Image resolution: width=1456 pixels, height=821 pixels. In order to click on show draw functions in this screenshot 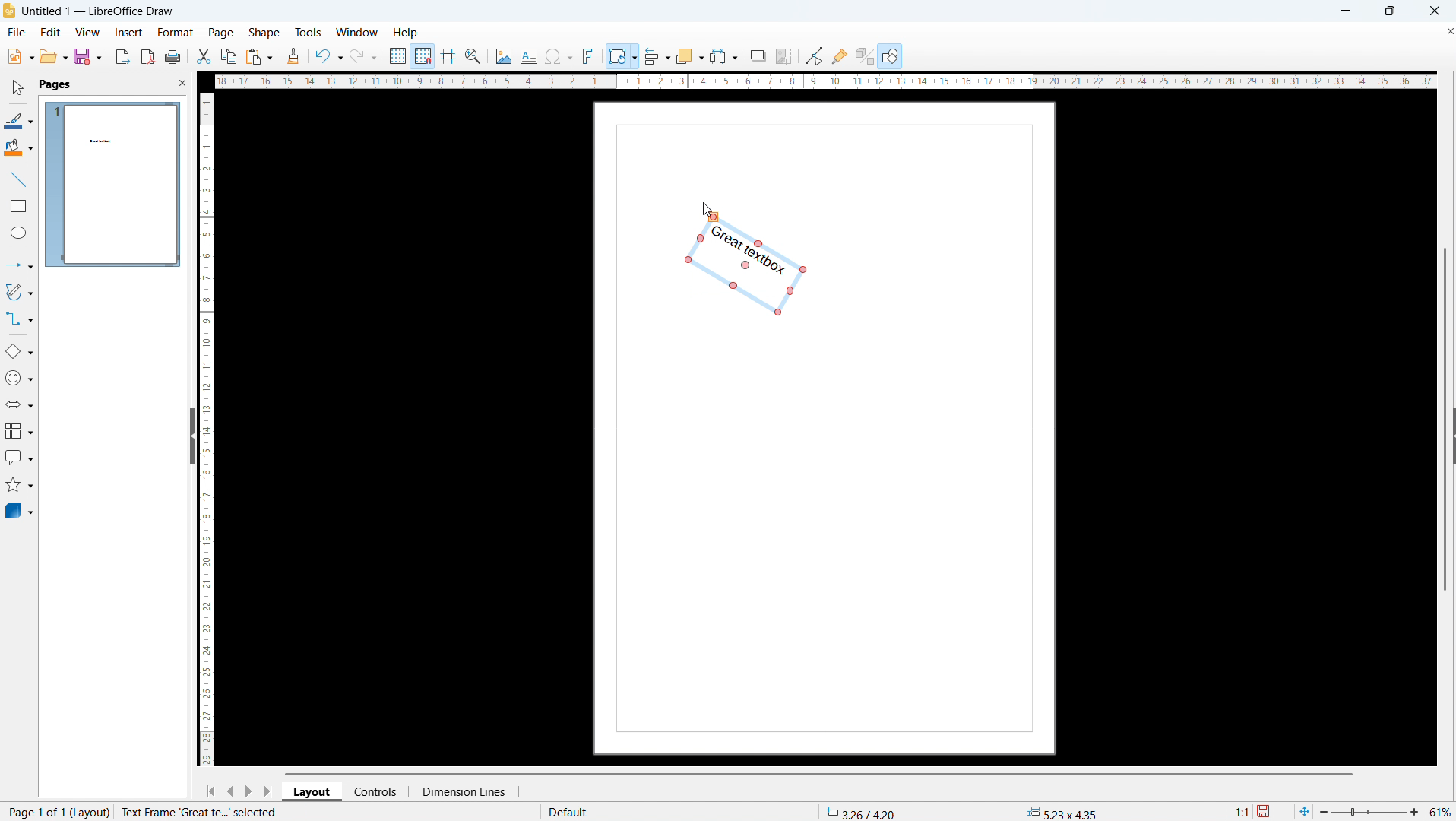, I will do `click(890, 57)`.